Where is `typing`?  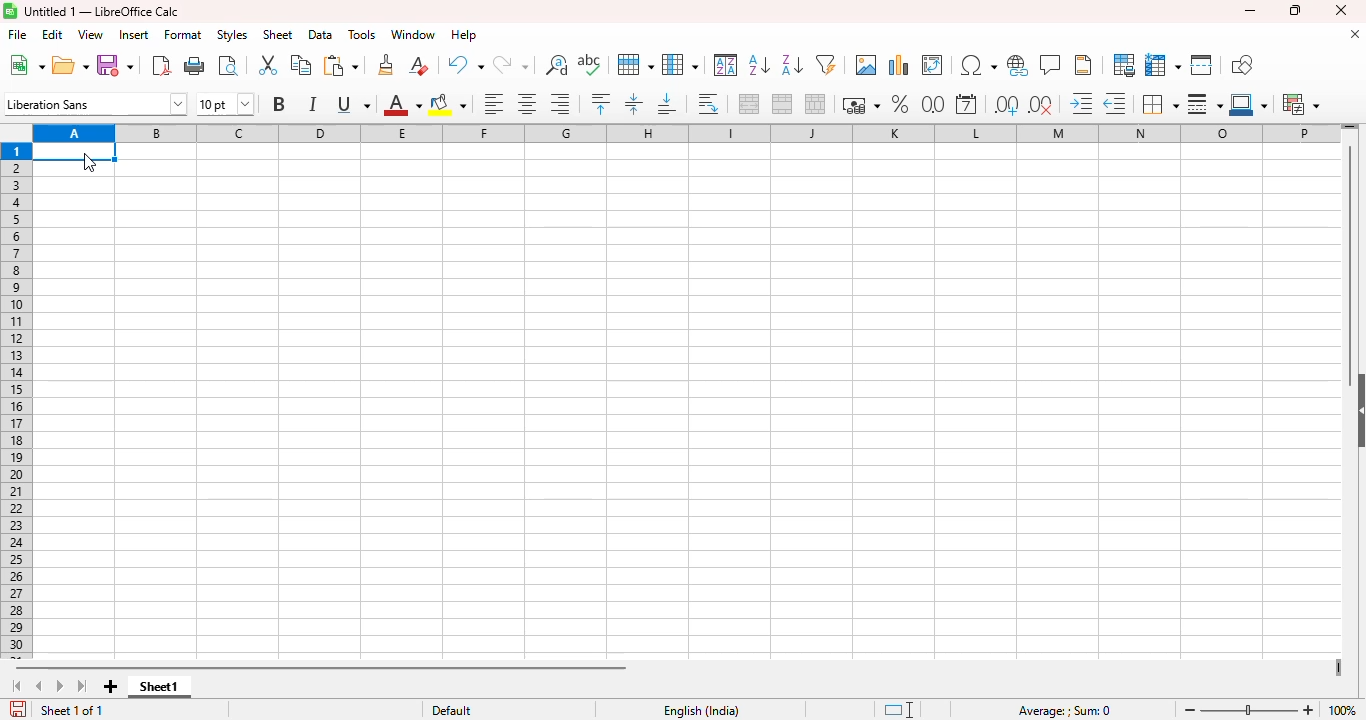 typing is located at coordinates (75, 152).